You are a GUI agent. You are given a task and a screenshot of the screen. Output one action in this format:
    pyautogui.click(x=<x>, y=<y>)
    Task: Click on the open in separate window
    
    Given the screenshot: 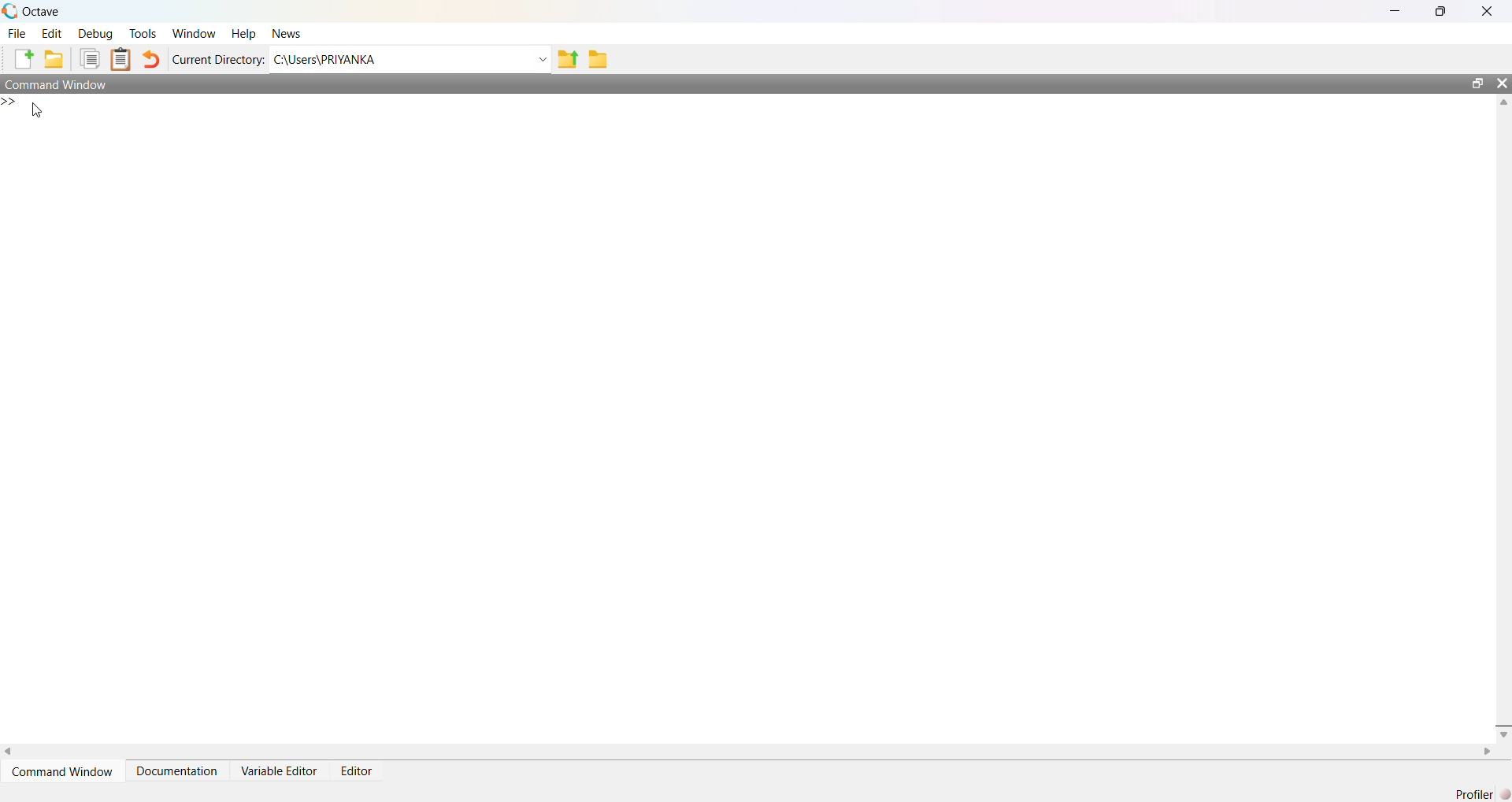 What is the action you would take?
    pyautogui.click(x=1477, y=81)
    